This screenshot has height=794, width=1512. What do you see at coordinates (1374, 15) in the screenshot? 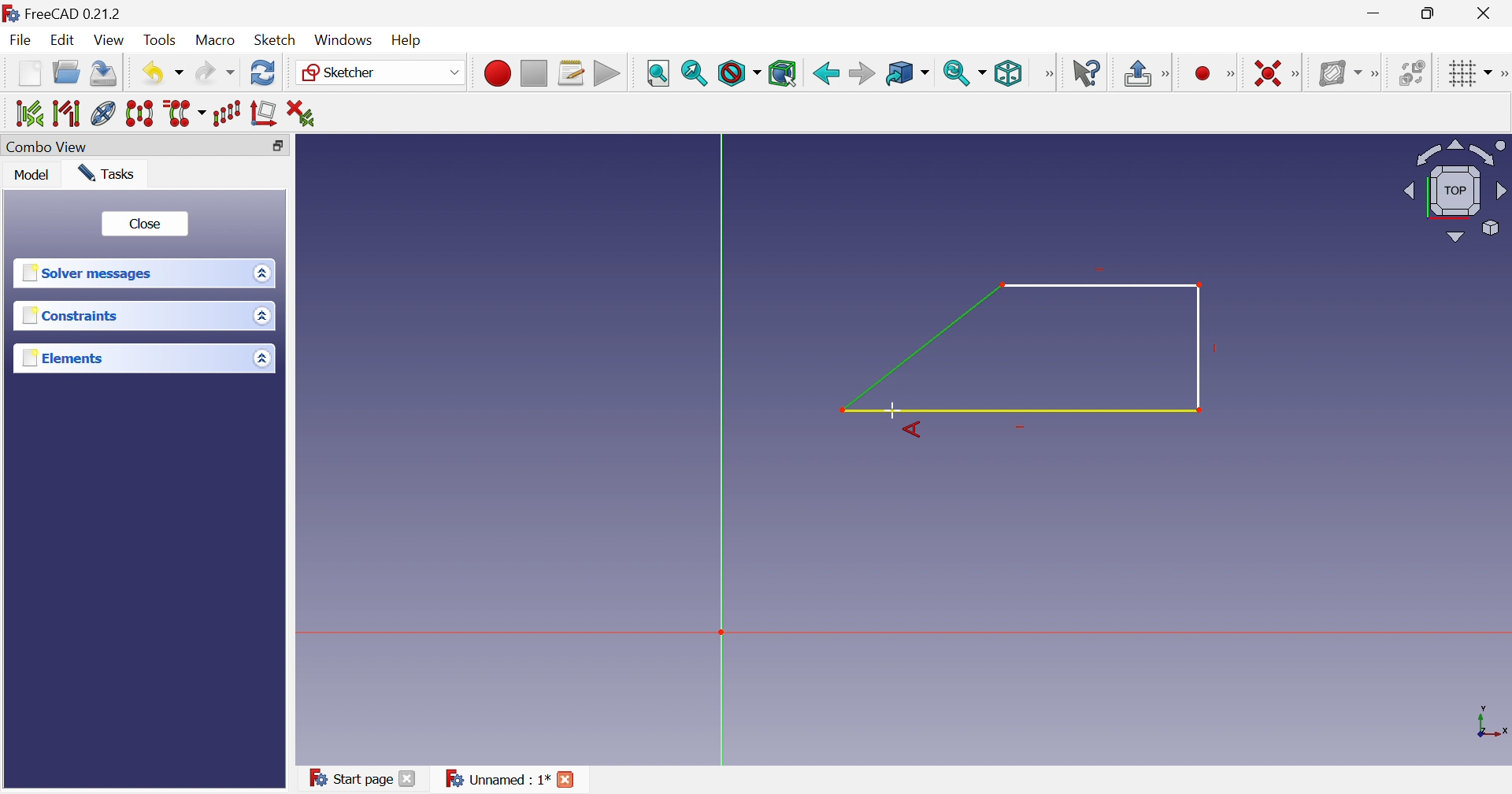
I see `Minimize` at bounding box center [1374, 15].